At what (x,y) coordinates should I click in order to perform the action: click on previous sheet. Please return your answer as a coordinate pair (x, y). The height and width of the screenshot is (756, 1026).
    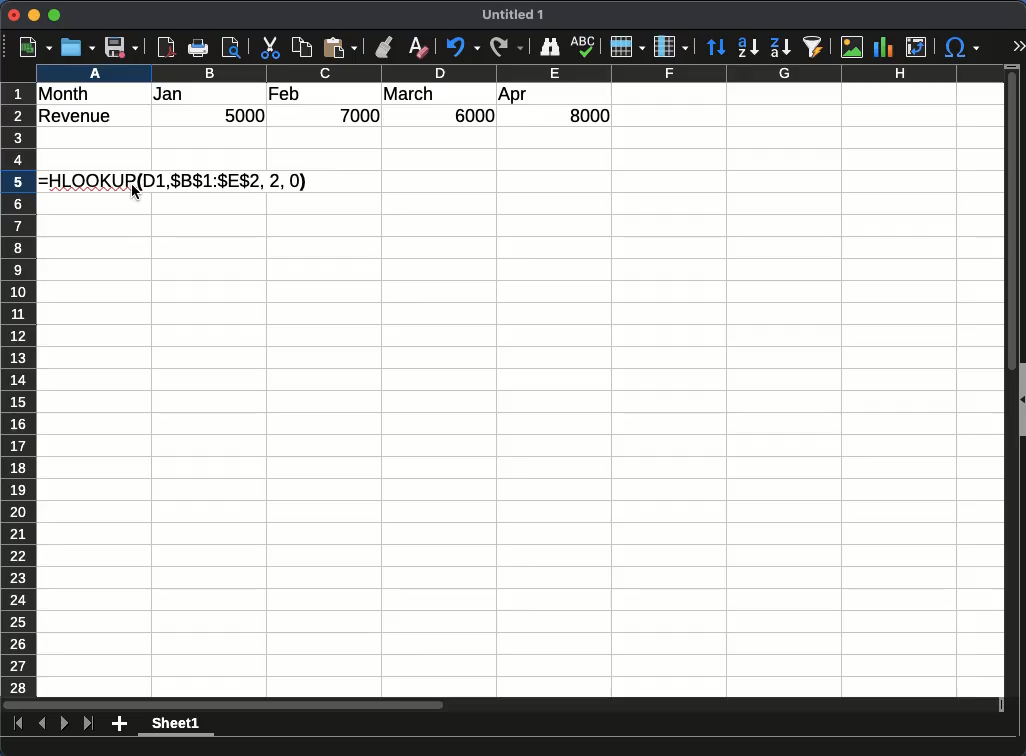
    Looking at the image, I should click on (42, 723).